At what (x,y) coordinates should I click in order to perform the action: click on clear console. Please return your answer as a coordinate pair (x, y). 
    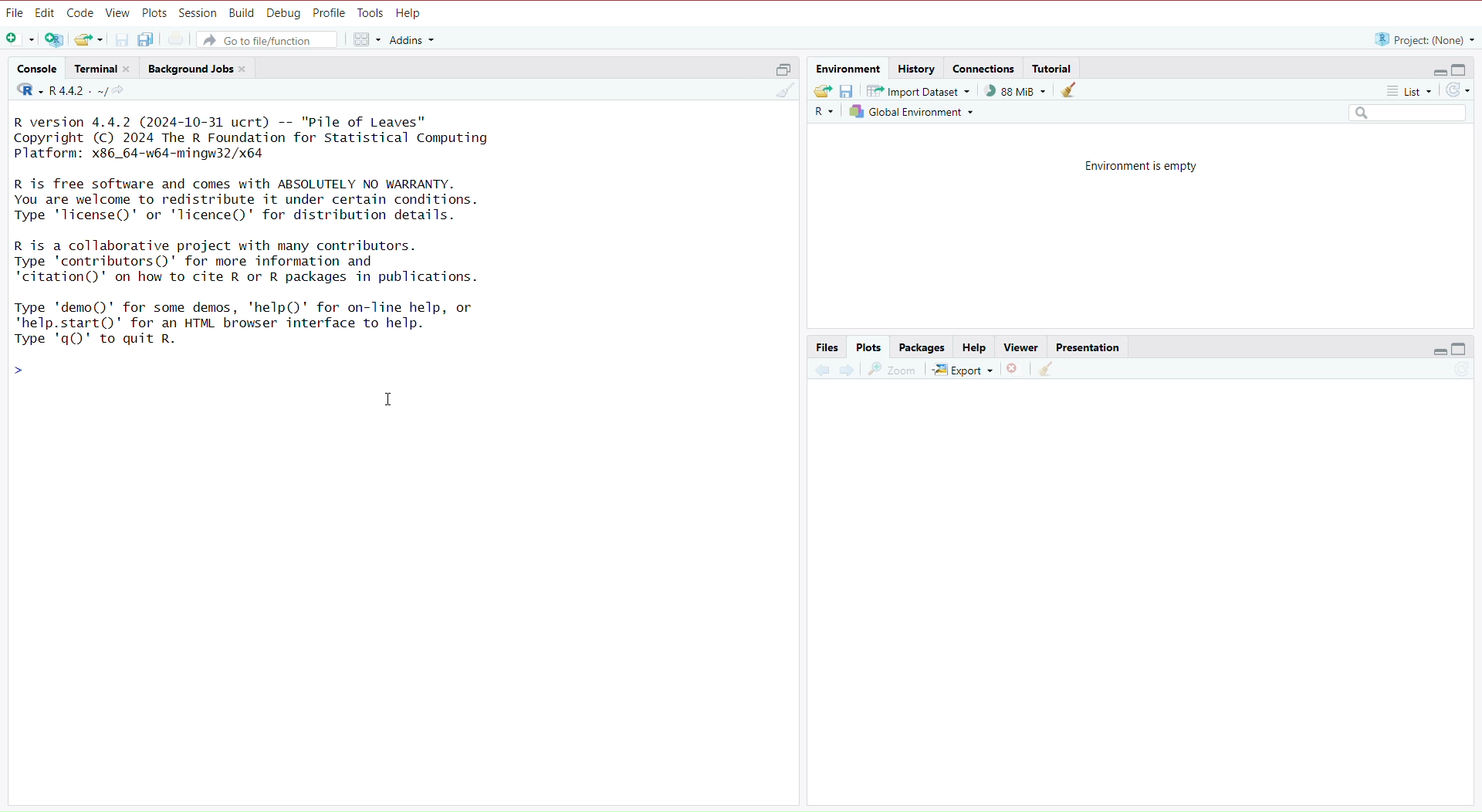
    Looking at the image, I should click on (779, 92).